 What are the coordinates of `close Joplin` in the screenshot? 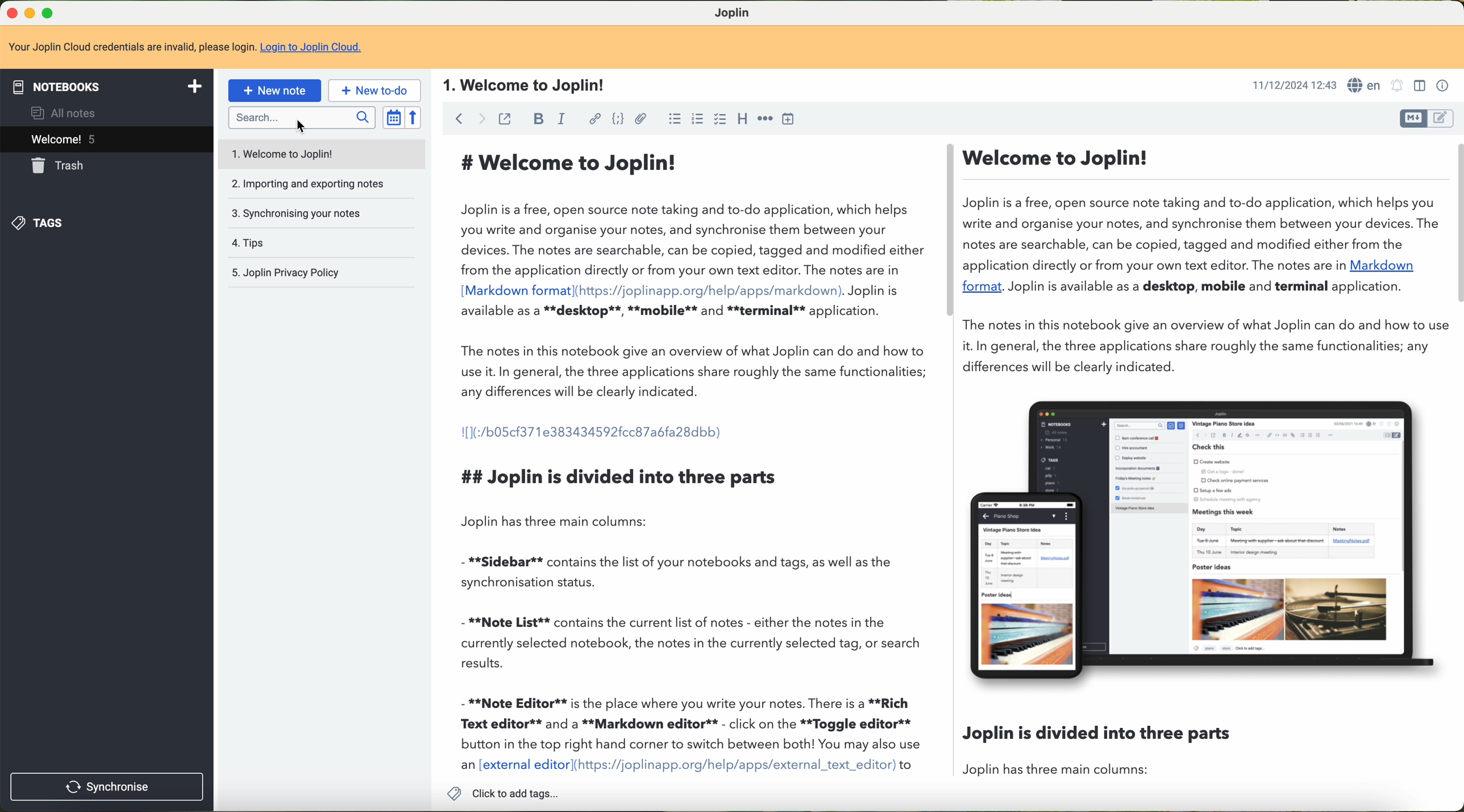 It's located at (9, 14).